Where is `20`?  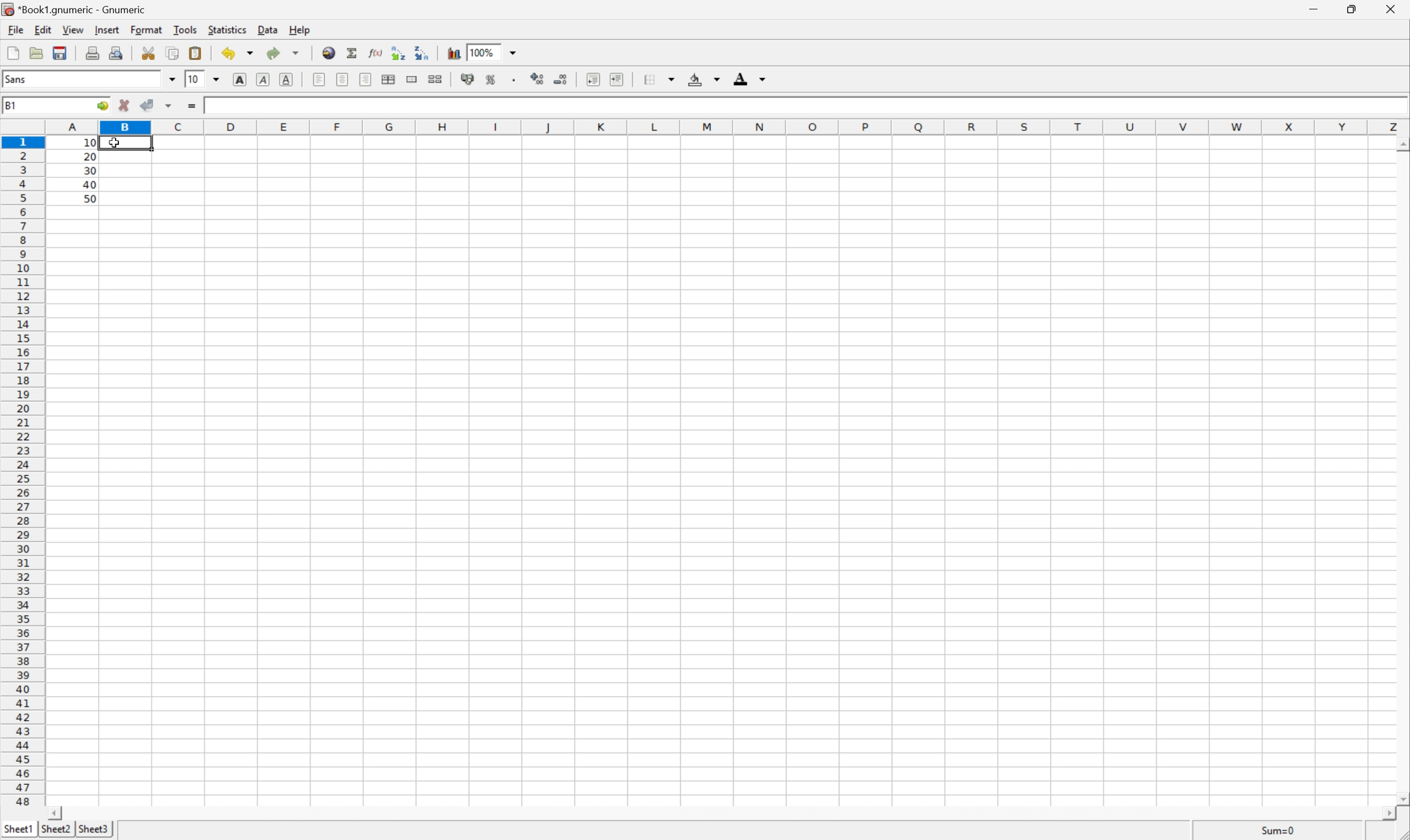 20 is located at coordinates (90, 157).